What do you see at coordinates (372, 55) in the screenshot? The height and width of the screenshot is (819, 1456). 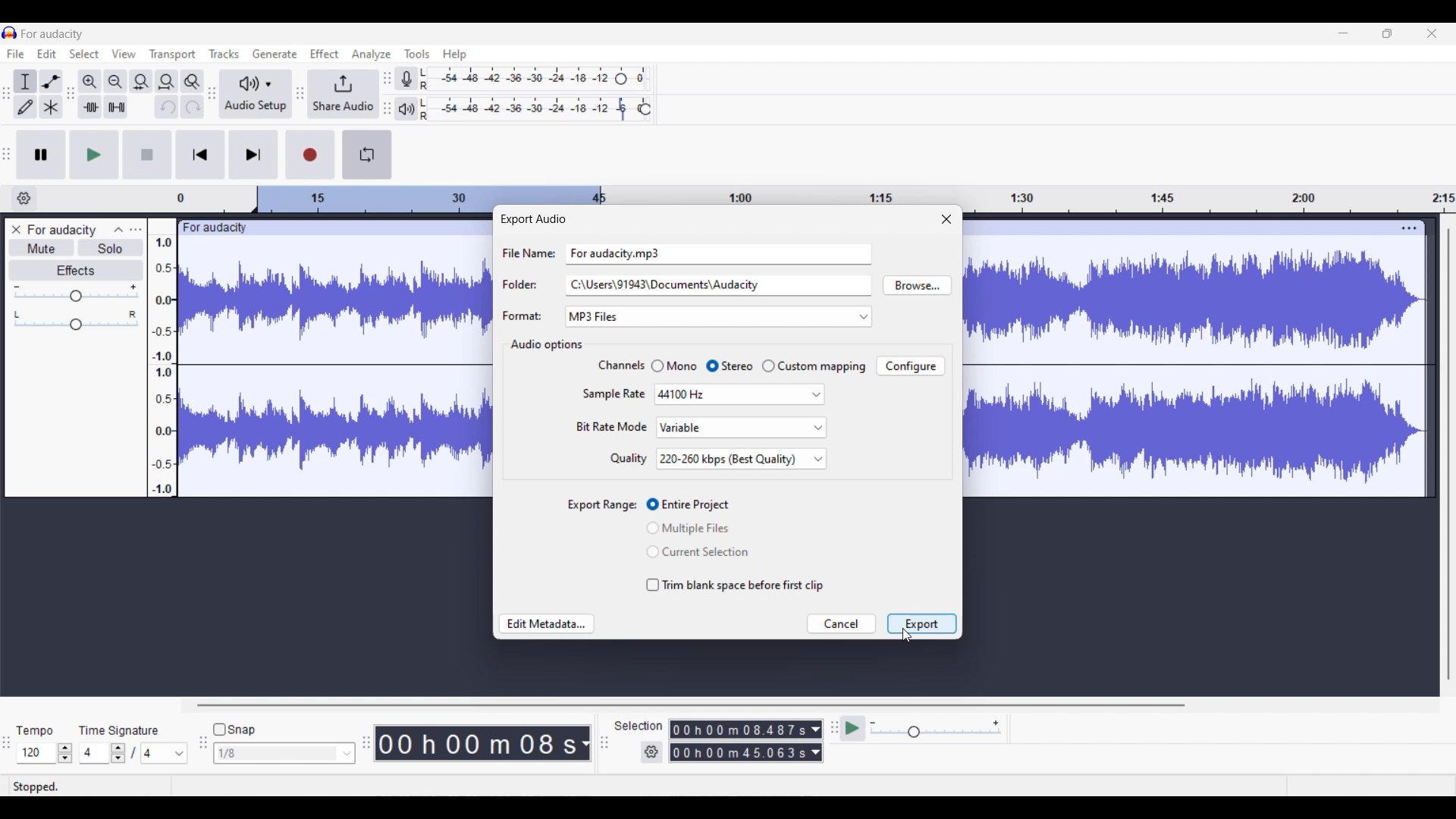 I see `Analyze menu` at bounding box center [372, 55].